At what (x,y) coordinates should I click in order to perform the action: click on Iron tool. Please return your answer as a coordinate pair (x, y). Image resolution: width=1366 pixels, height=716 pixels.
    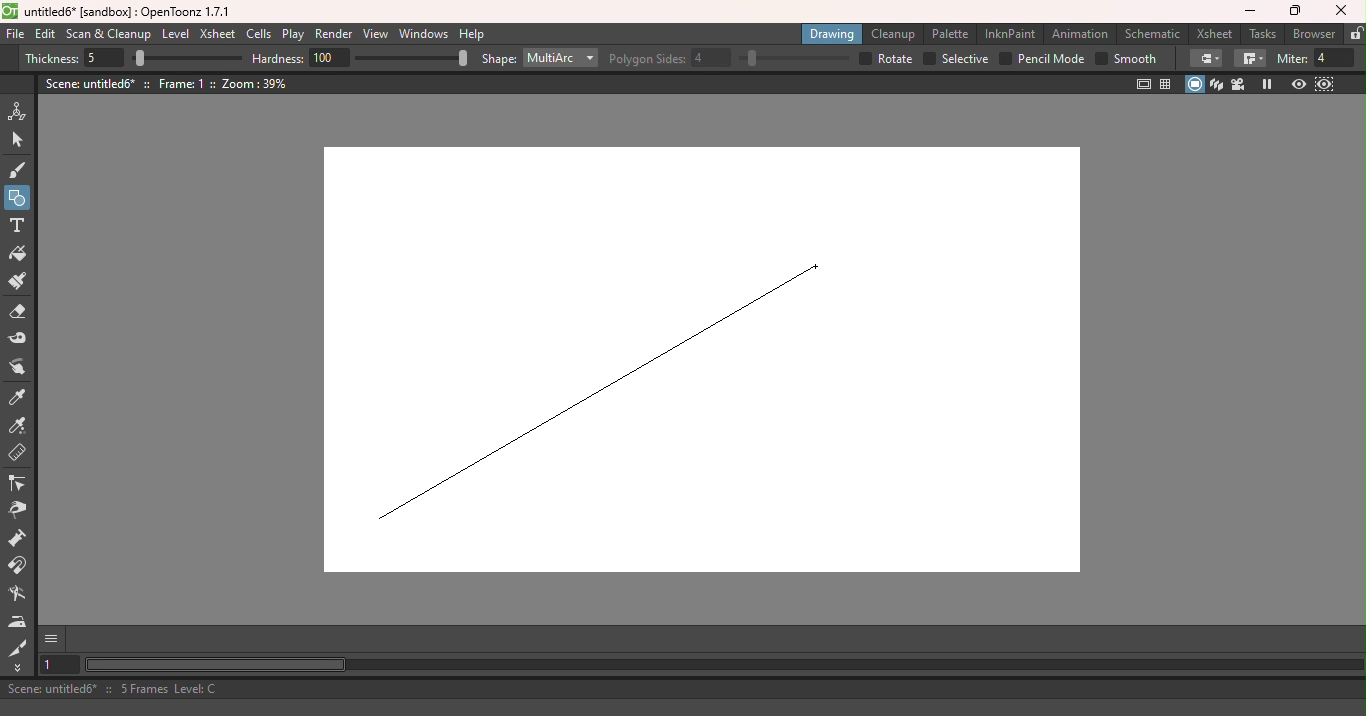
    Looking at the image, I should click on (18, 623).